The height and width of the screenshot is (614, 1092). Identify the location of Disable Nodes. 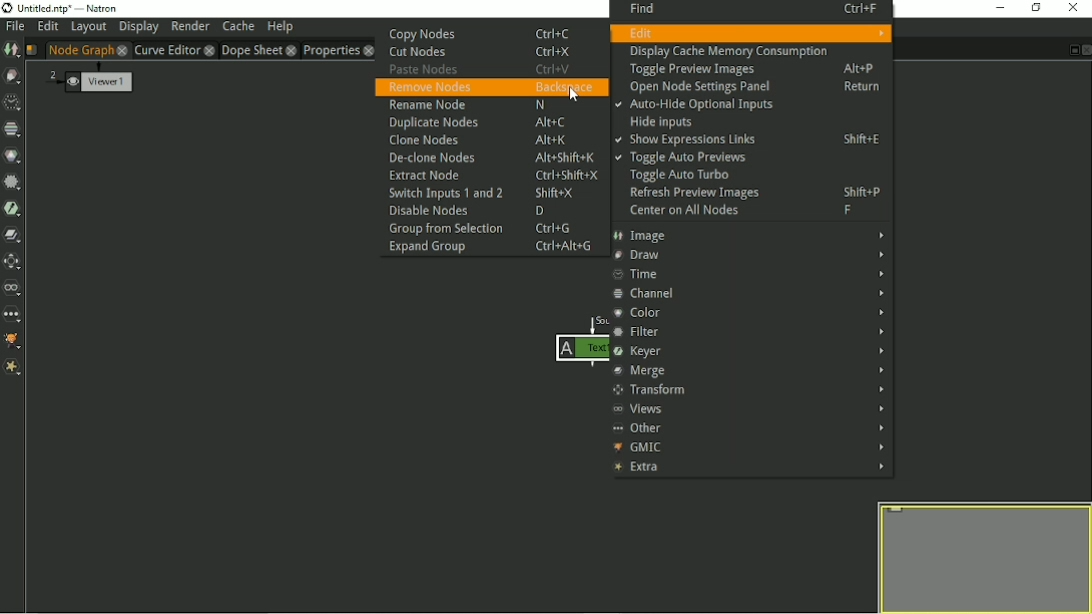
(473, 211).